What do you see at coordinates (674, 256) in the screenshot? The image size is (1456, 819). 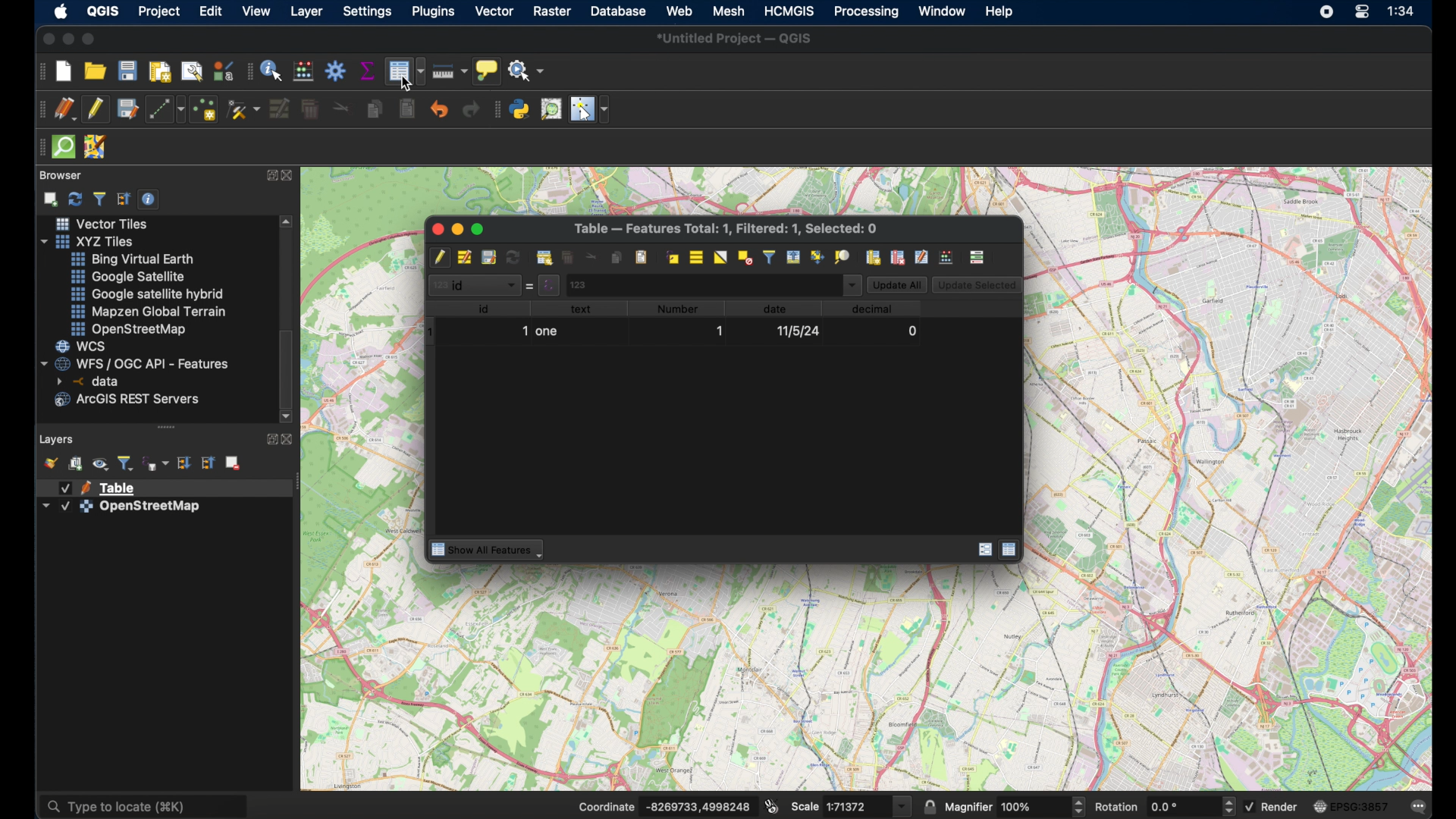 I see `select features using expression` at bounding box center [674, 256].